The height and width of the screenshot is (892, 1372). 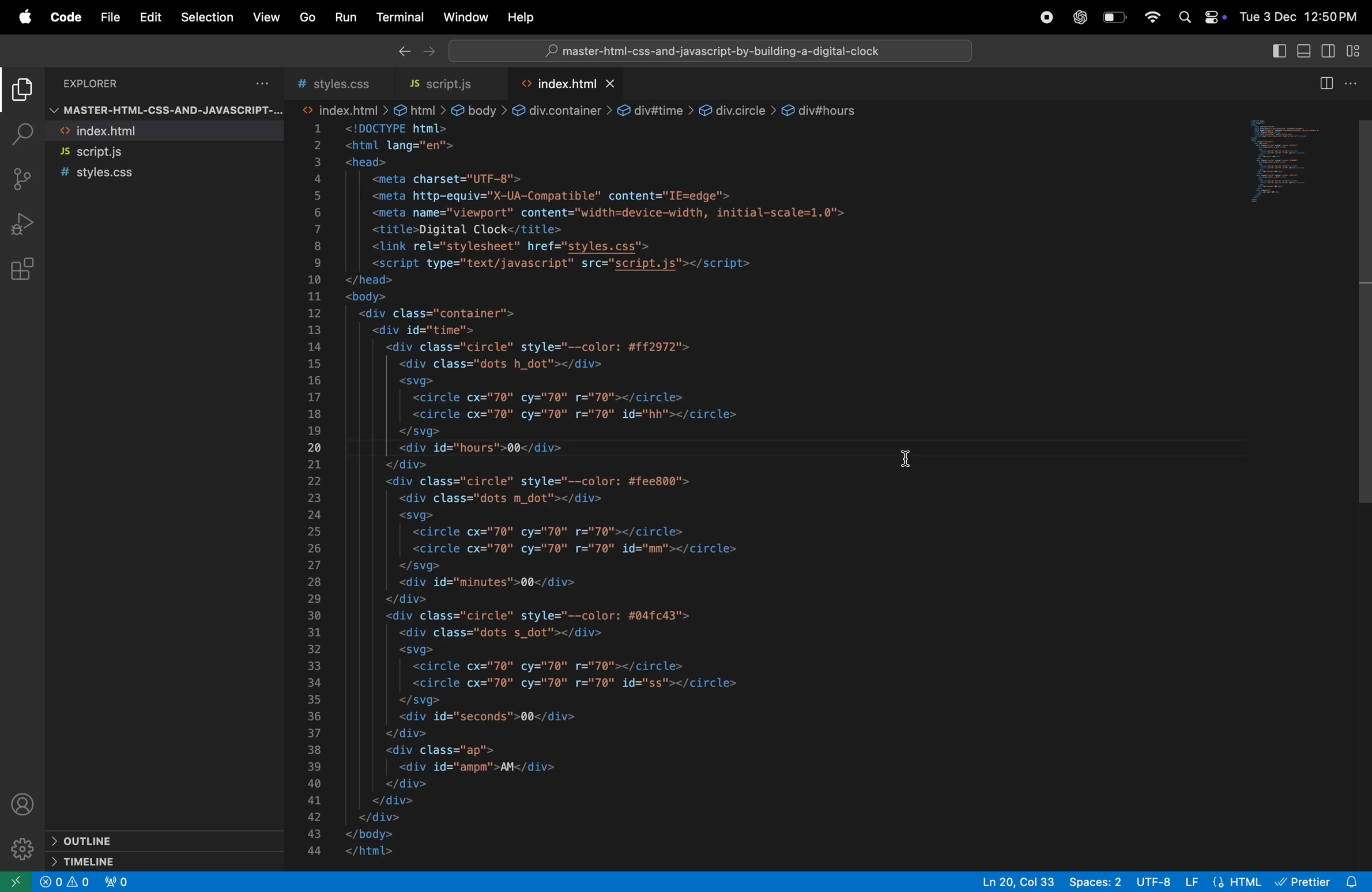 I want to click on js script.js, so click(x=450, y=85).